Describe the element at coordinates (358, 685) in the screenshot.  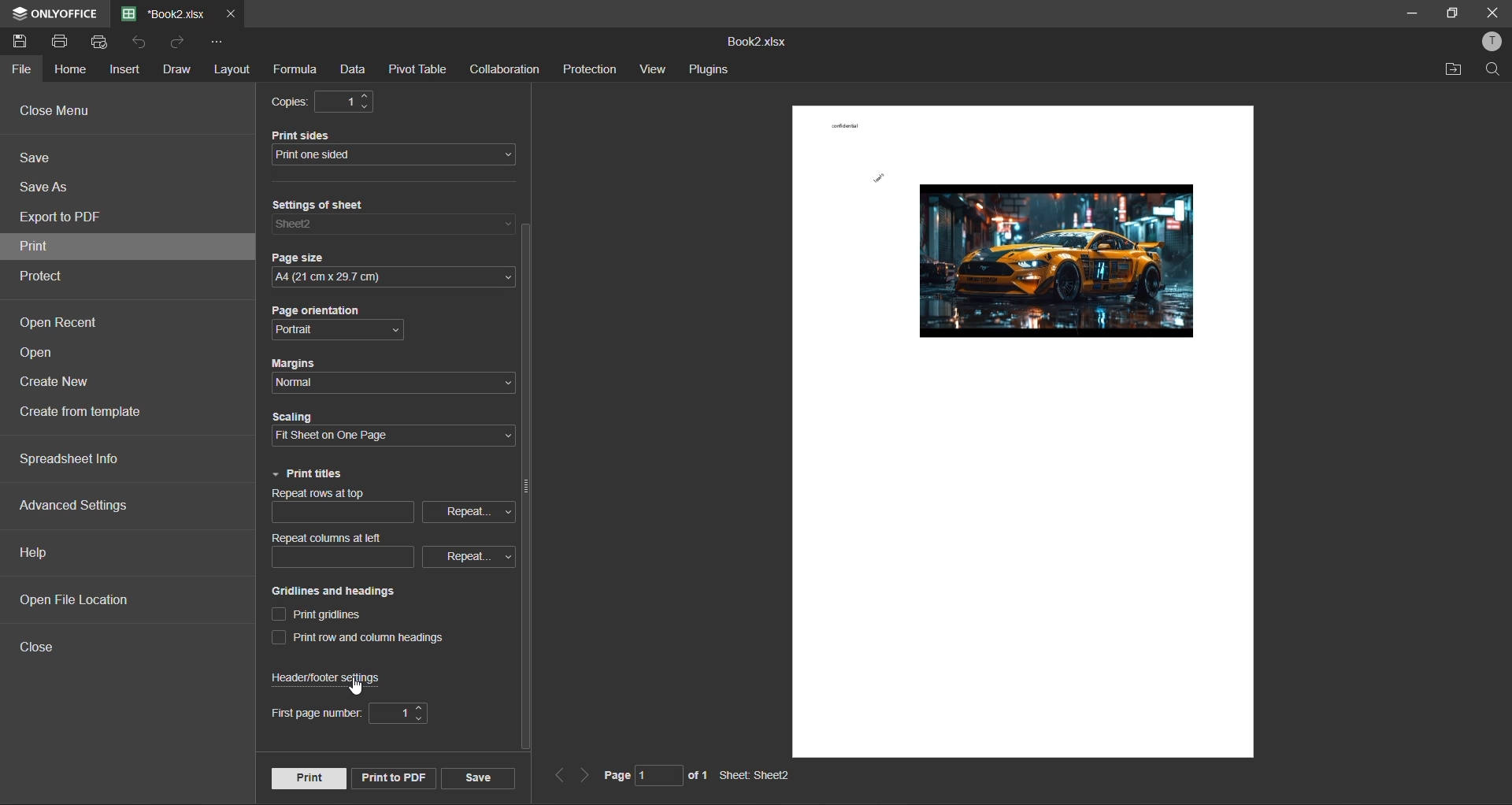
I see `cursor` at that location.